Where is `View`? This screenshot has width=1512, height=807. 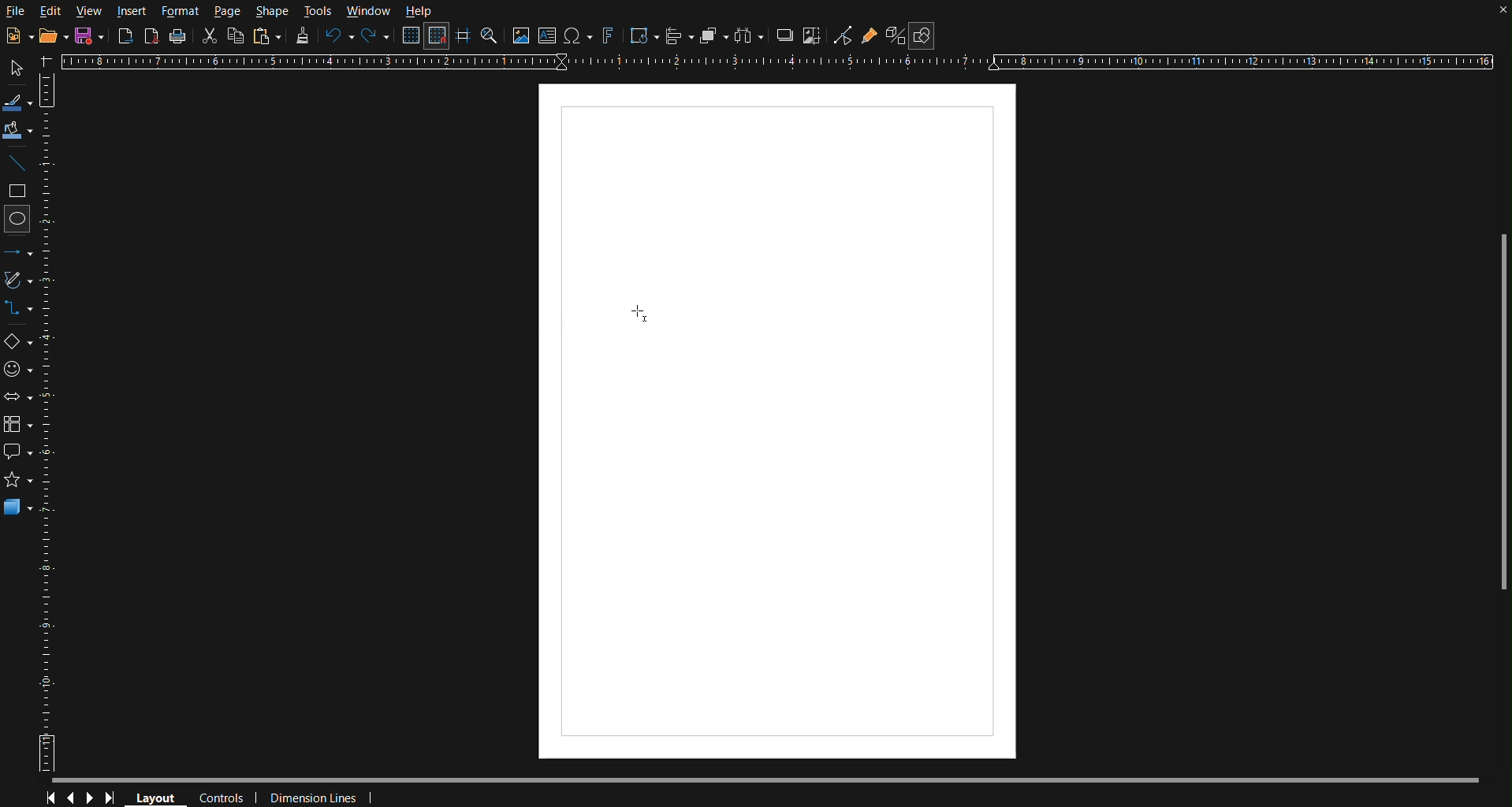 View is located at coordinates (88, 11).